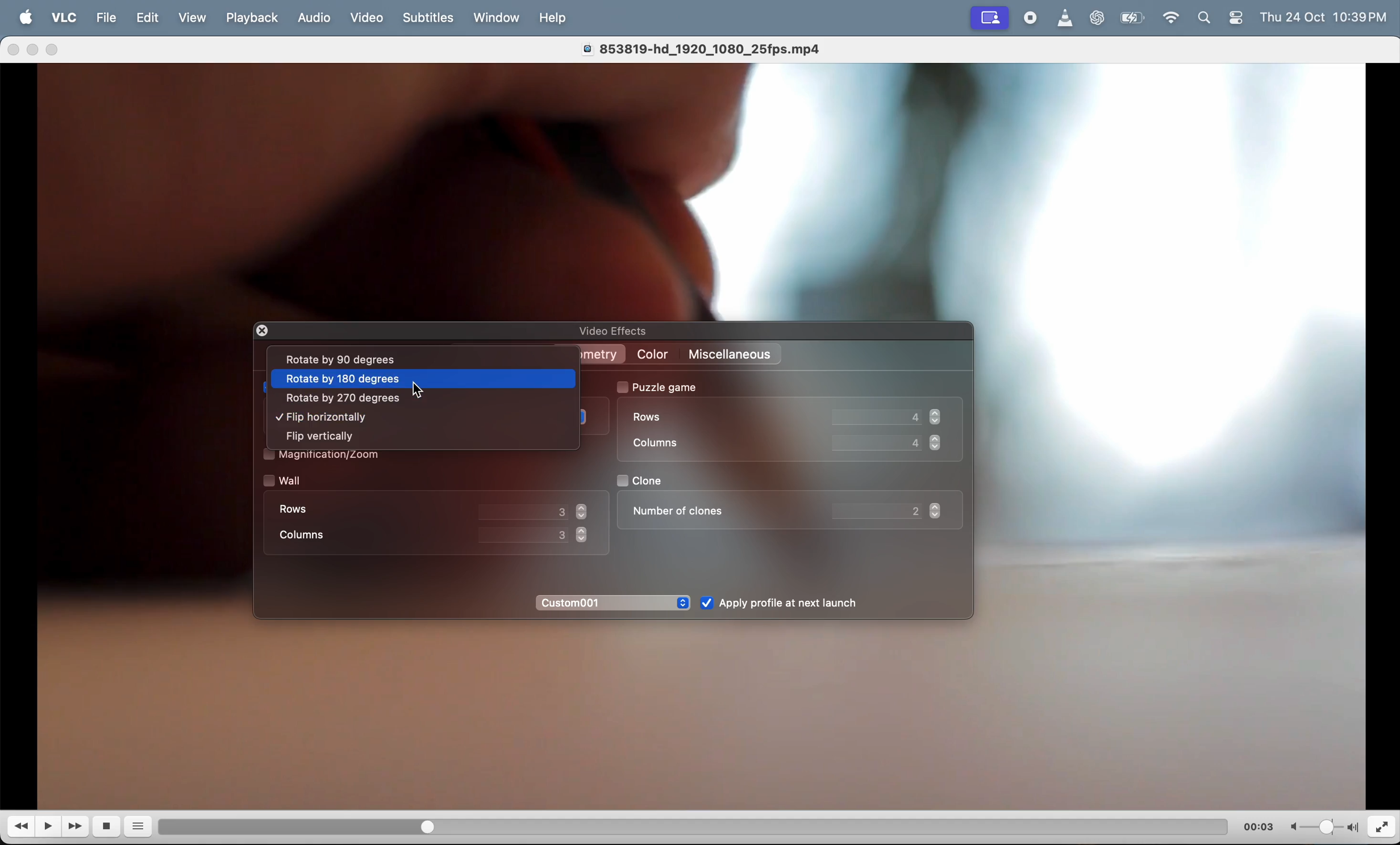  What do you see at coordinates (654, 355) in the screenshot?
I see `color` at bounding box center [654, 355].